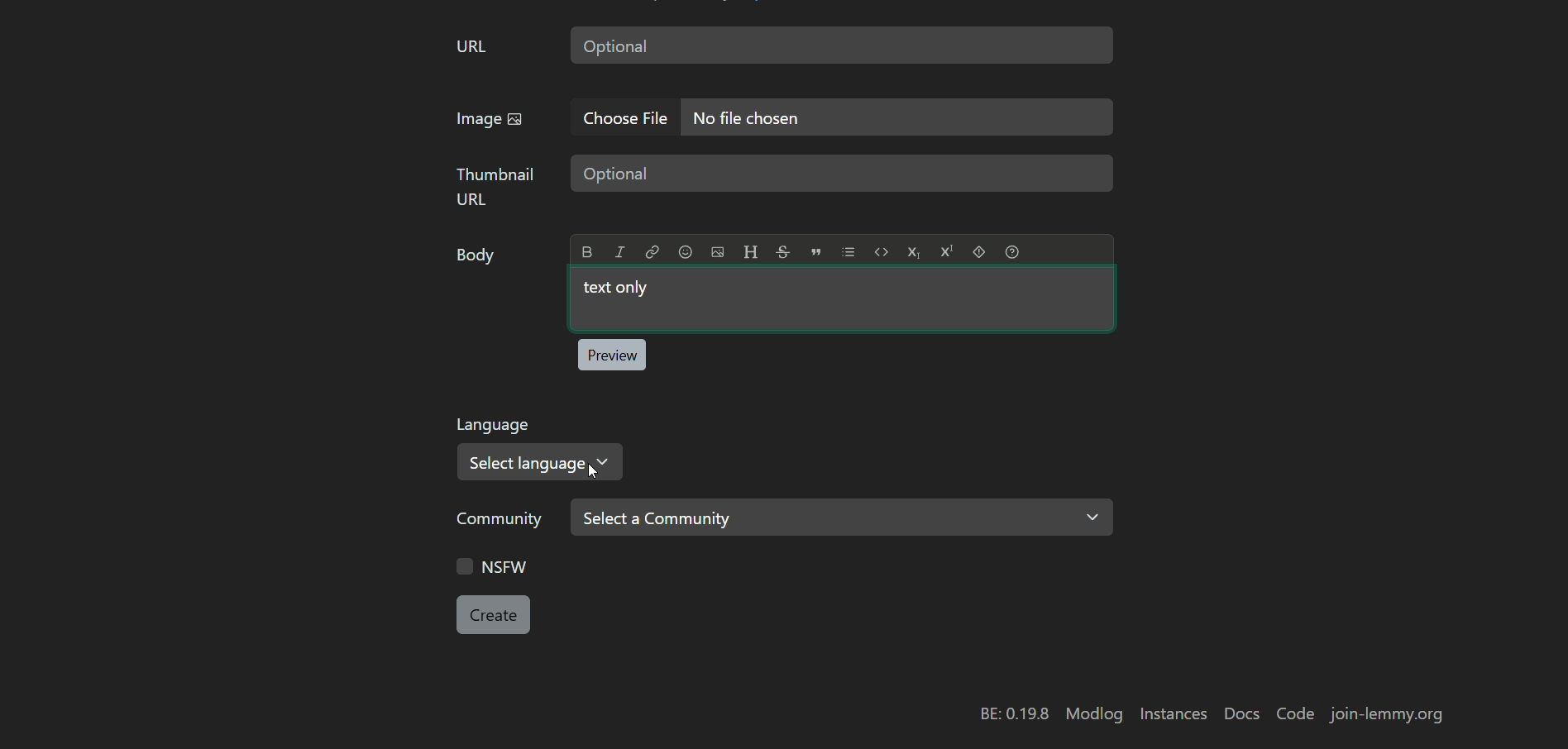 The width and height of the screenshot is (1568, 749). Describe the element at coordinates (611, 355) in the screenshot. I see `preview` at that location.